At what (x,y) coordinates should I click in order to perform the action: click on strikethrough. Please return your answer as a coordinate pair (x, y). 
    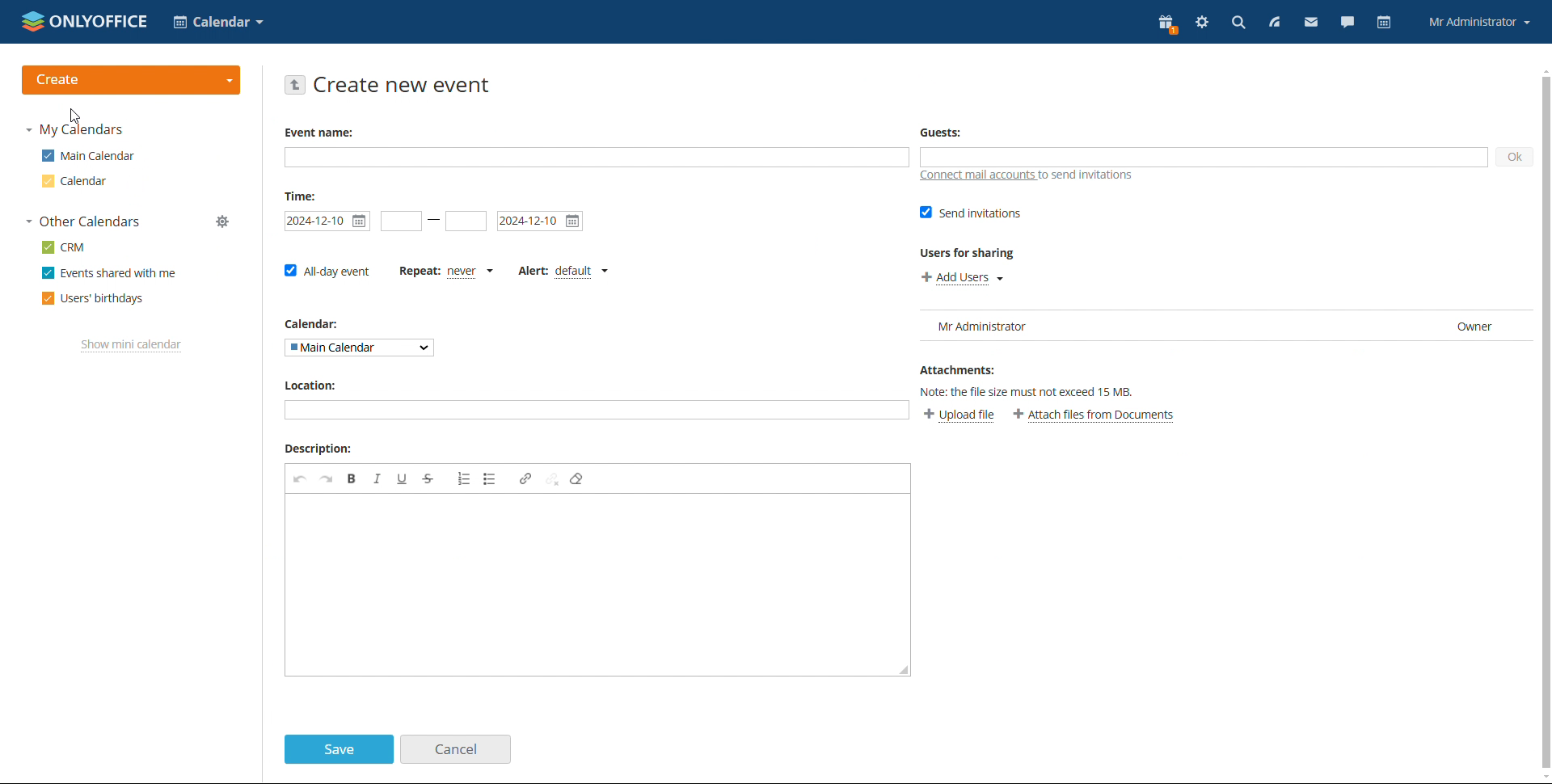
    Looking at the image, I should click on (428, 478).